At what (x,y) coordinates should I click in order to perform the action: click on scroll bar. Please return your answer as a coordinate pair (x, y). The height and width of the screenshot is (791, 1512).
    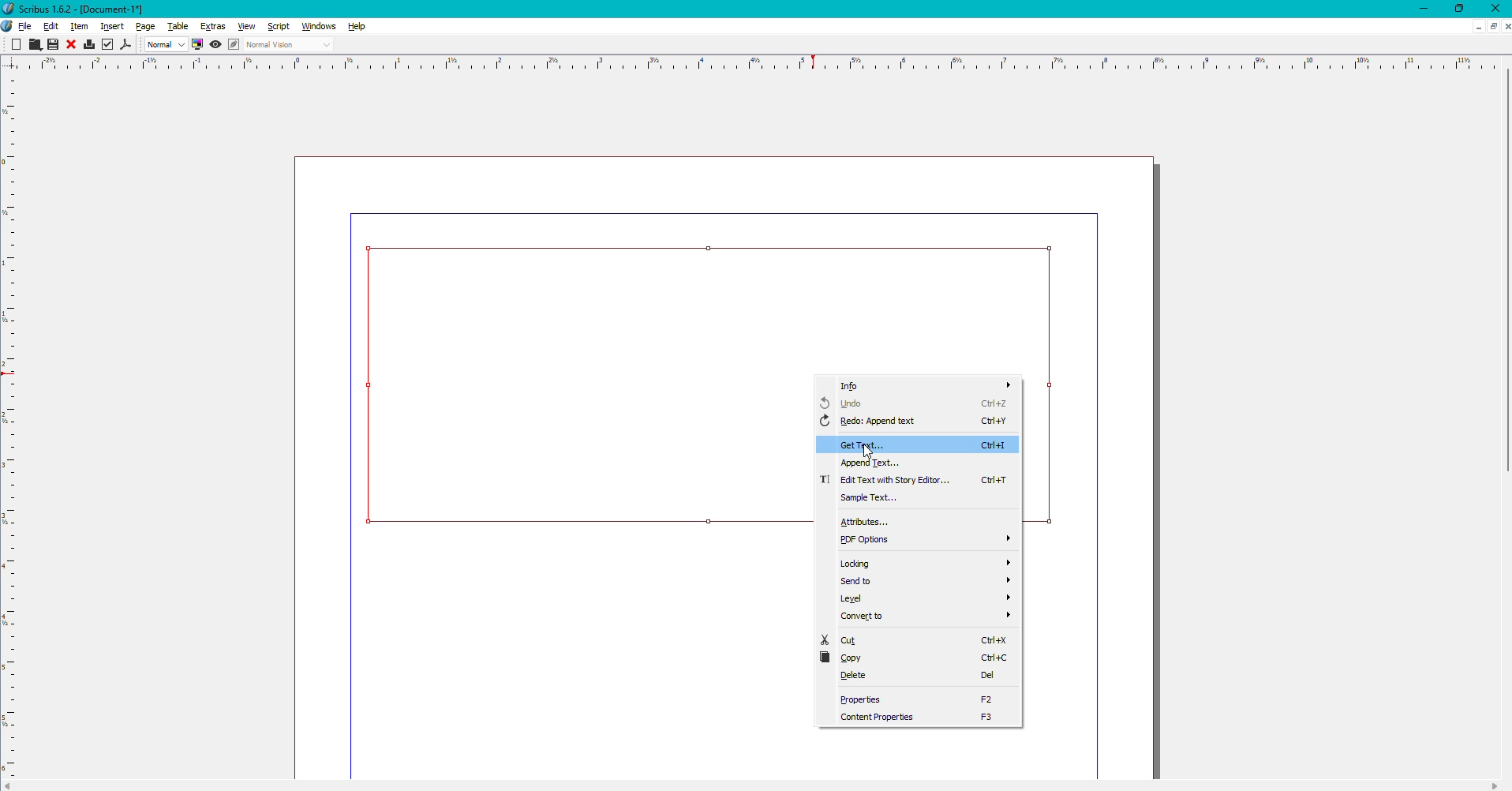
    Looking at the image, I should click on (1507, 276).